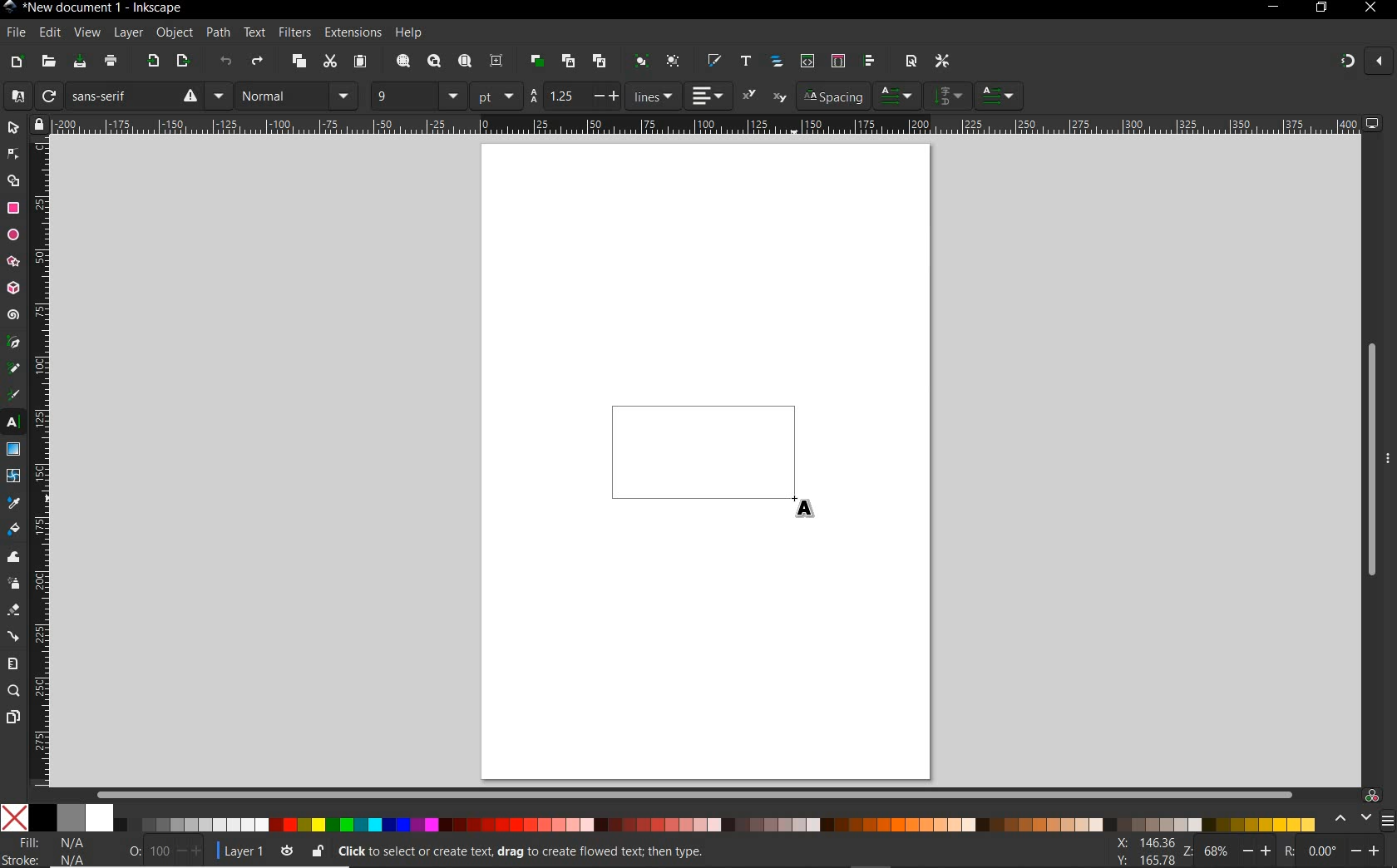 The width and height of the screenshot is (1397, 868). What do you see at coordinates (1286, 850) in the screenshot?
I see `rotation` at bounding box center [1286, 850].